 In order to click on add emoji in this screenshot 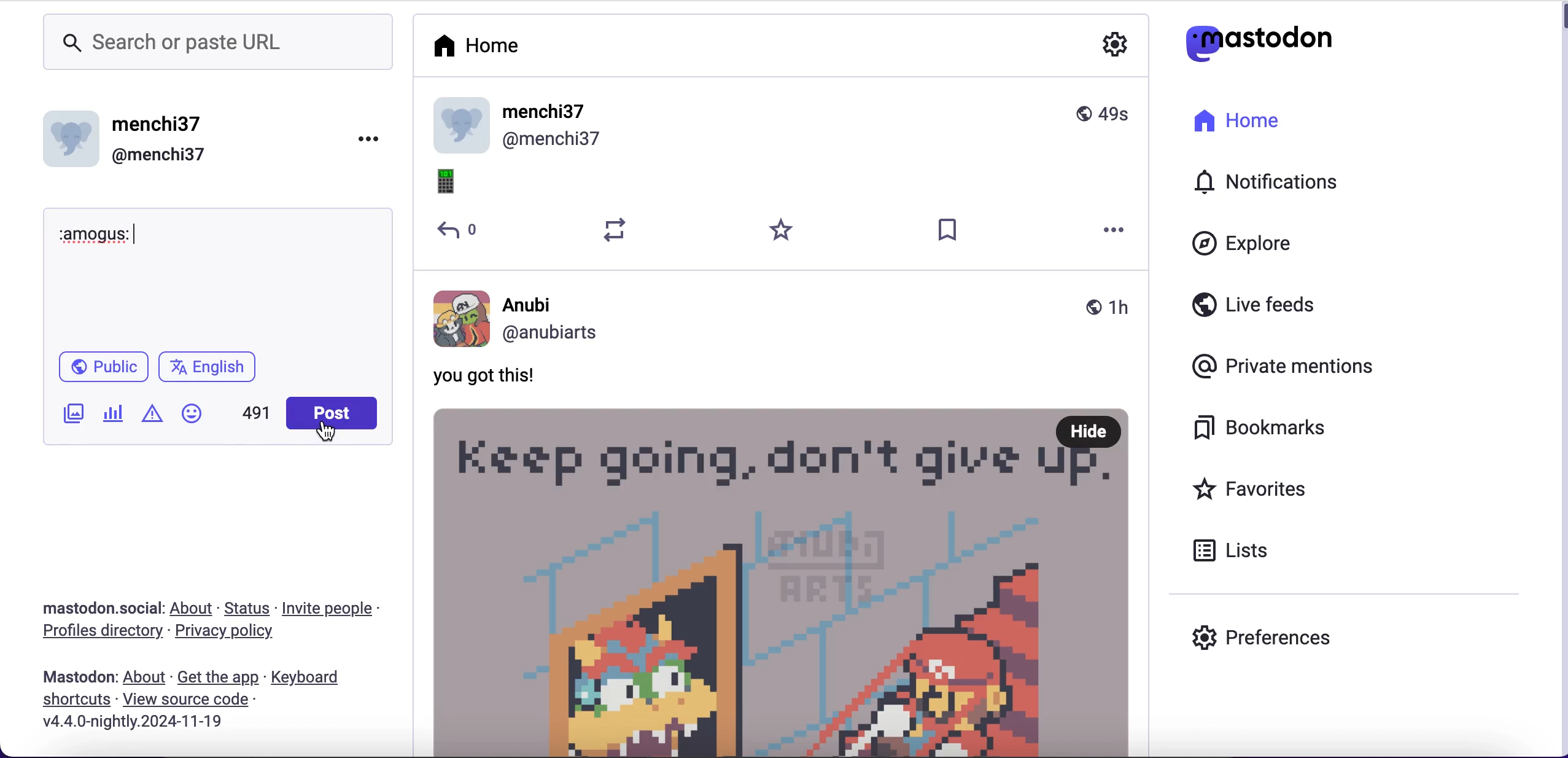, I will do `click(192, 407)`.